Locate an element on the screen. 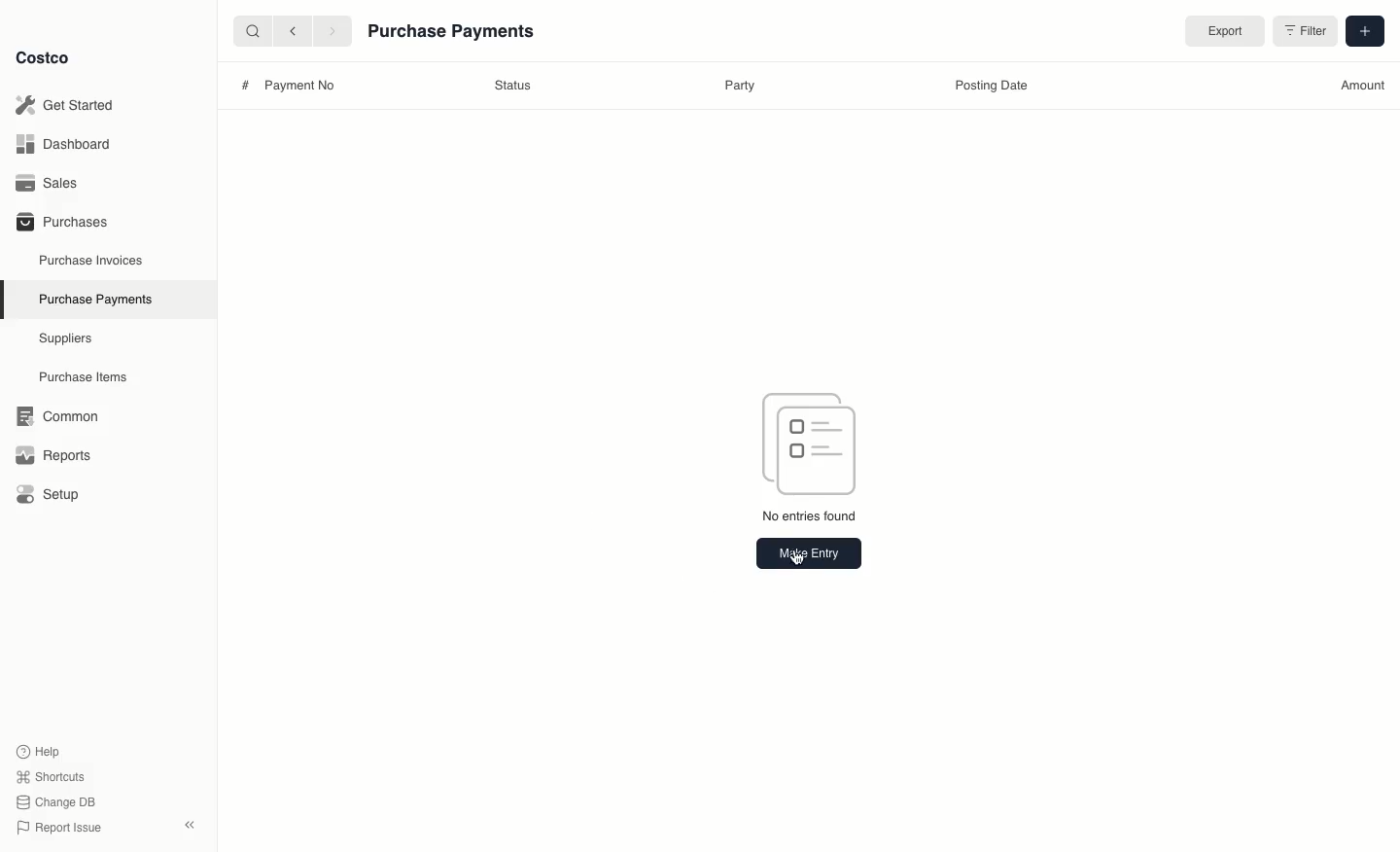  No entries found is located at coordinates (812, 518).